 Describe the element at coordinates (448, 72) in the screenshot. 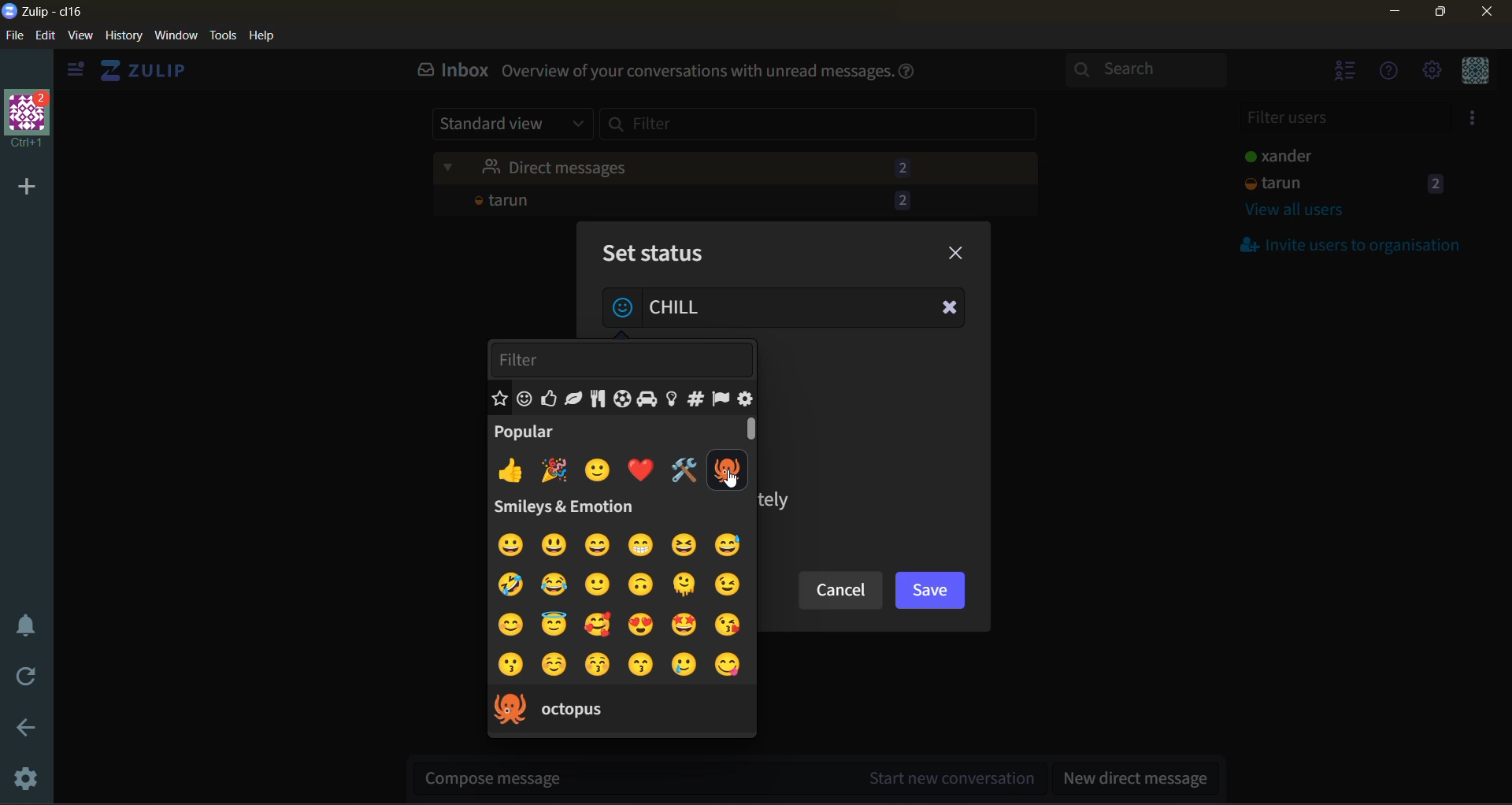

I see `inbox` at that location.